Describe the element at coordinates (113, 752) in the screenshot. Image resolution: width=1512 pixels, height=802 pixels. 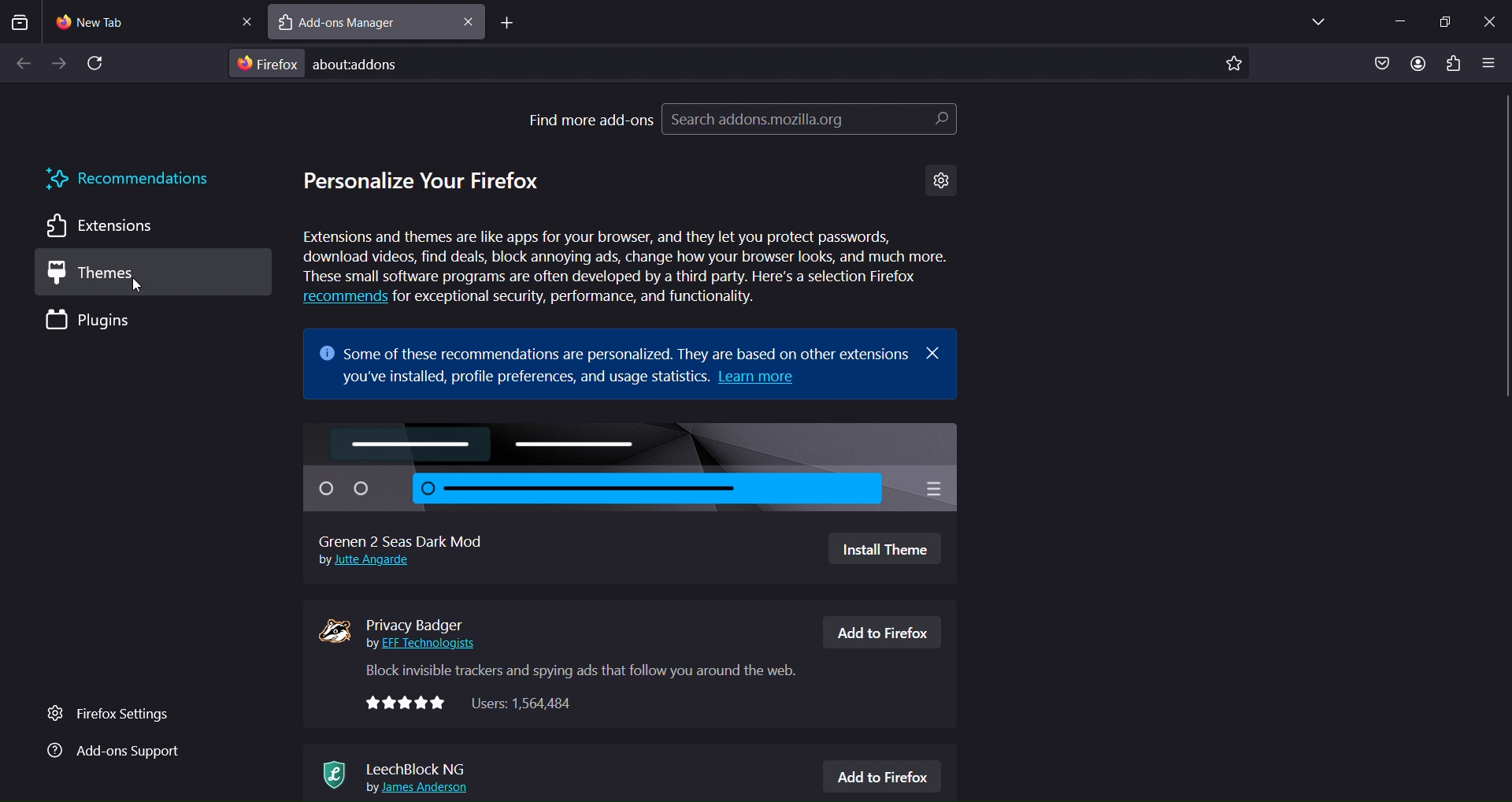
I see `add ons support` at that location.